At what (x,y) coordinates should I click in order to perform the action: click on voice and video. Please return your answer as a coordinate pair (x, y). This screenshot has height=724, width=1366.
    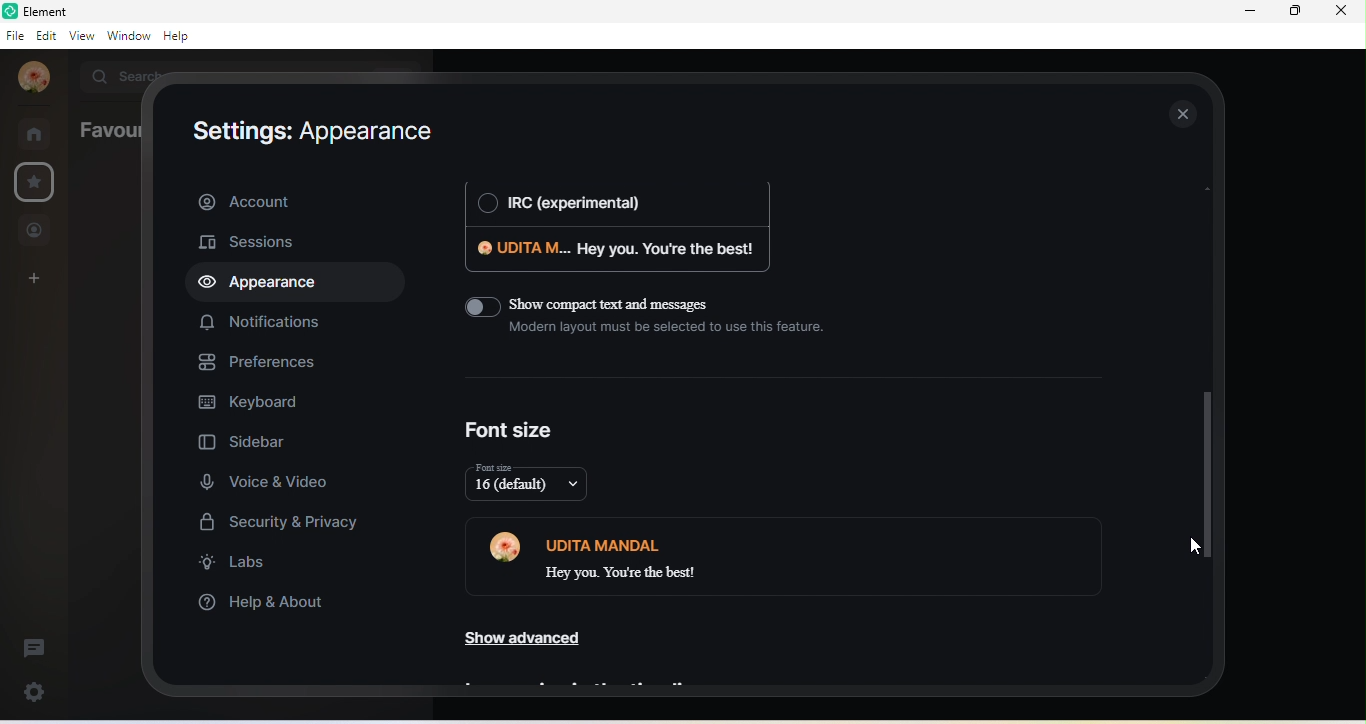
    Looking at the image, I should click on (270, 479).